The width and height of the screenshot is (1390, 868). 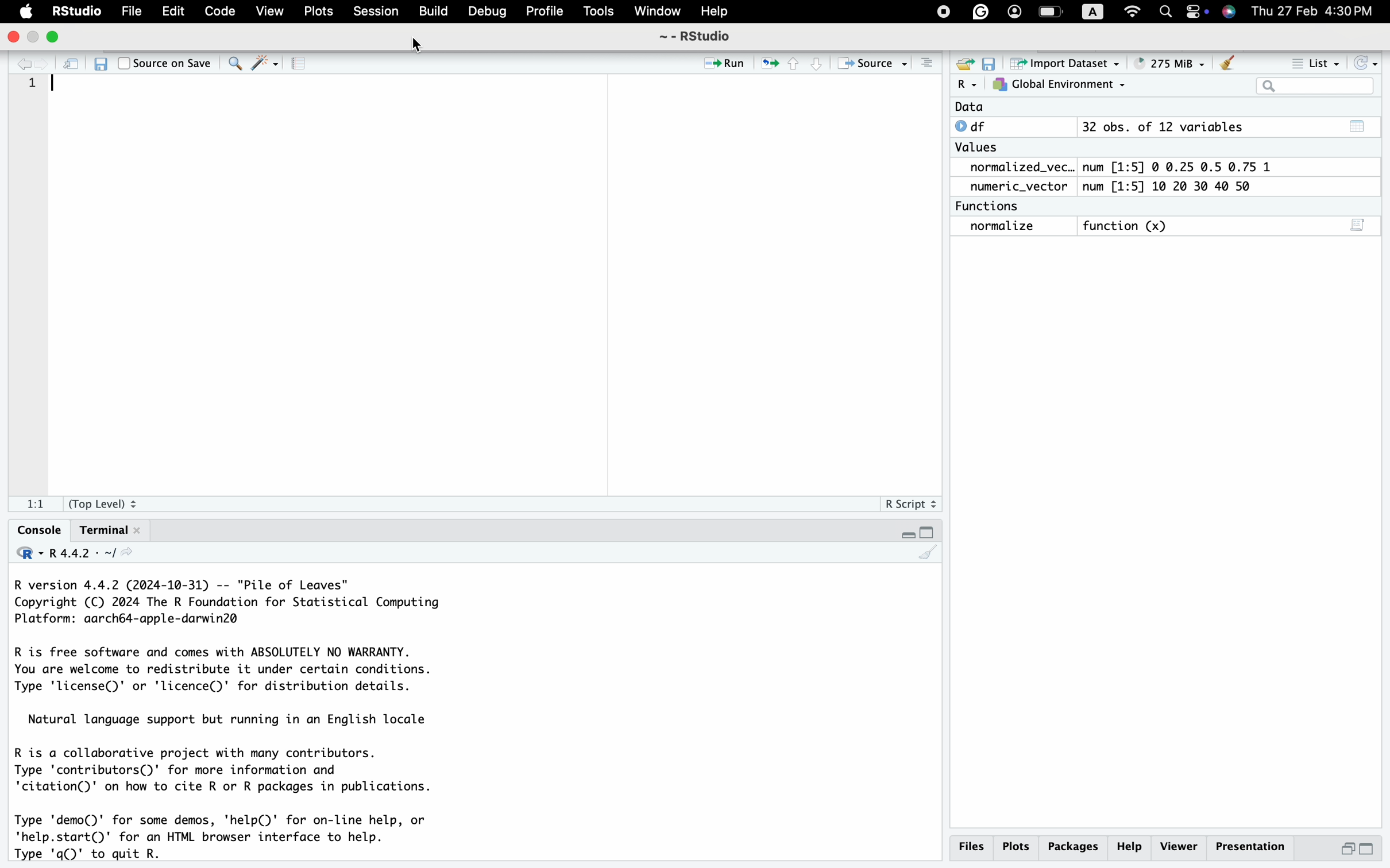 I want to click on global environment, so click(x=1062, y=86).